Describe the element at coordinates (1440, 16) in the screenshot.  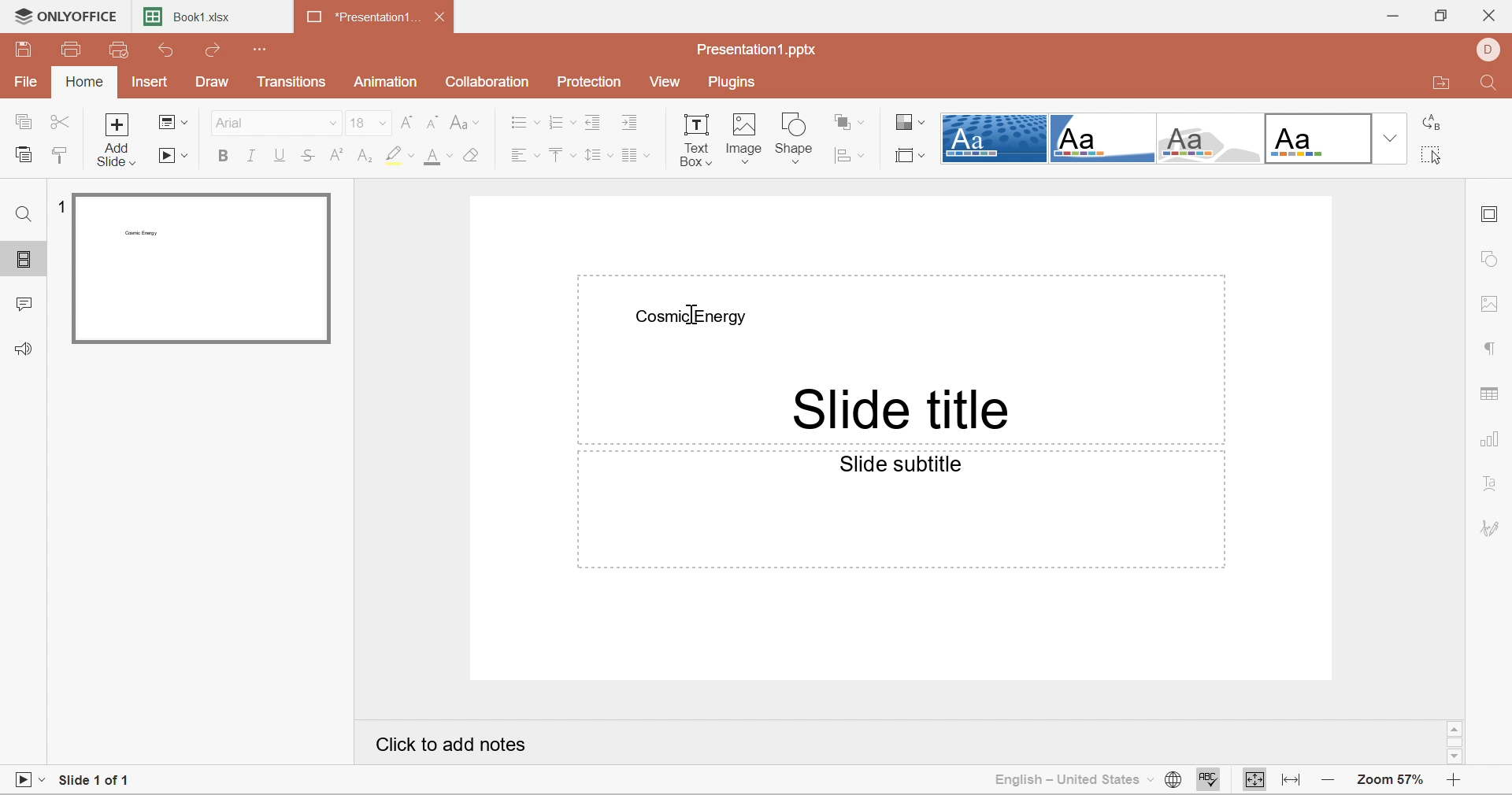
I see `Restore Down` at that location.